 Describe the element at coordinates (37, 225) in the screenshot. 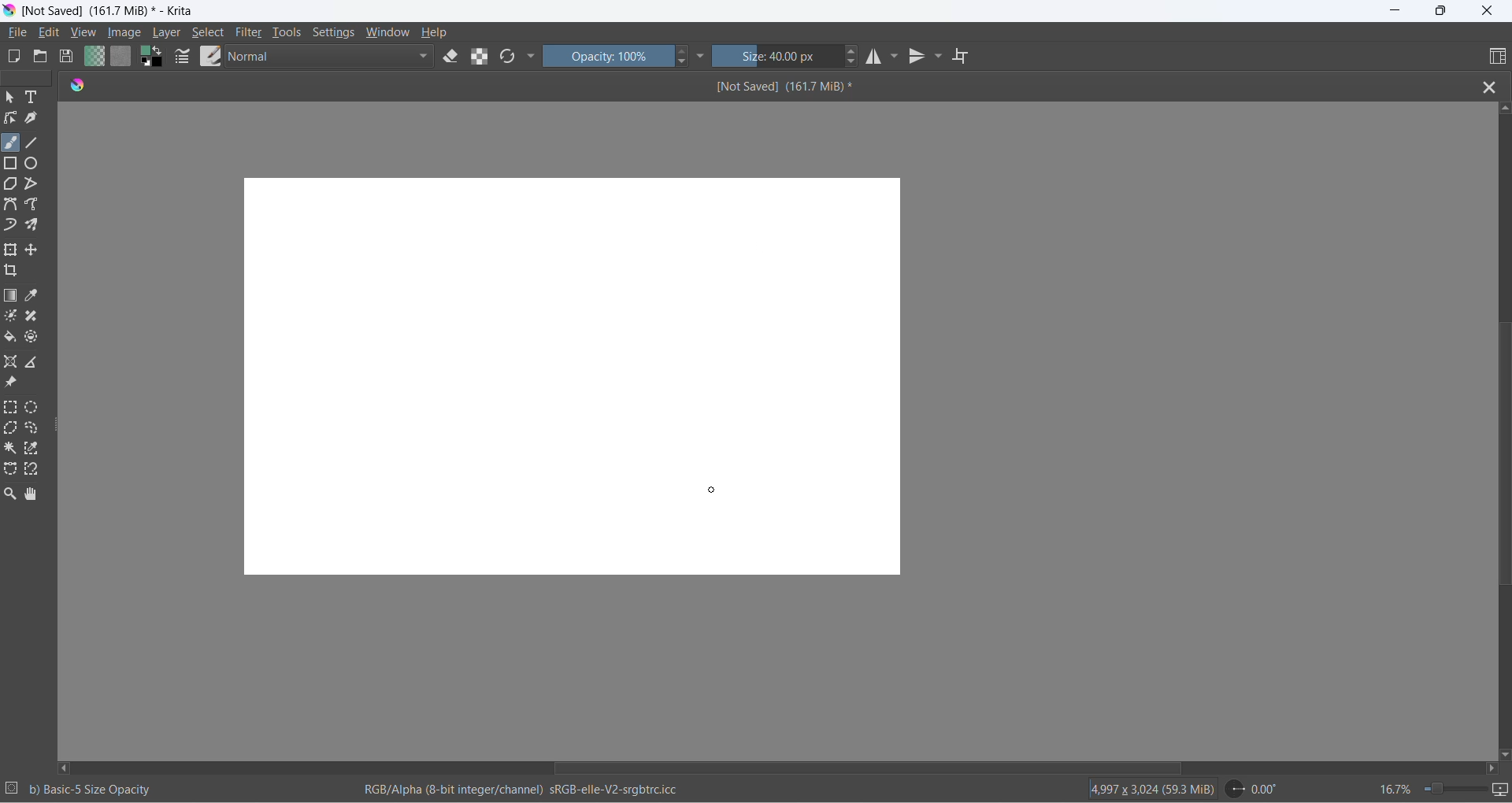

I see `multibrush tool` at that location.